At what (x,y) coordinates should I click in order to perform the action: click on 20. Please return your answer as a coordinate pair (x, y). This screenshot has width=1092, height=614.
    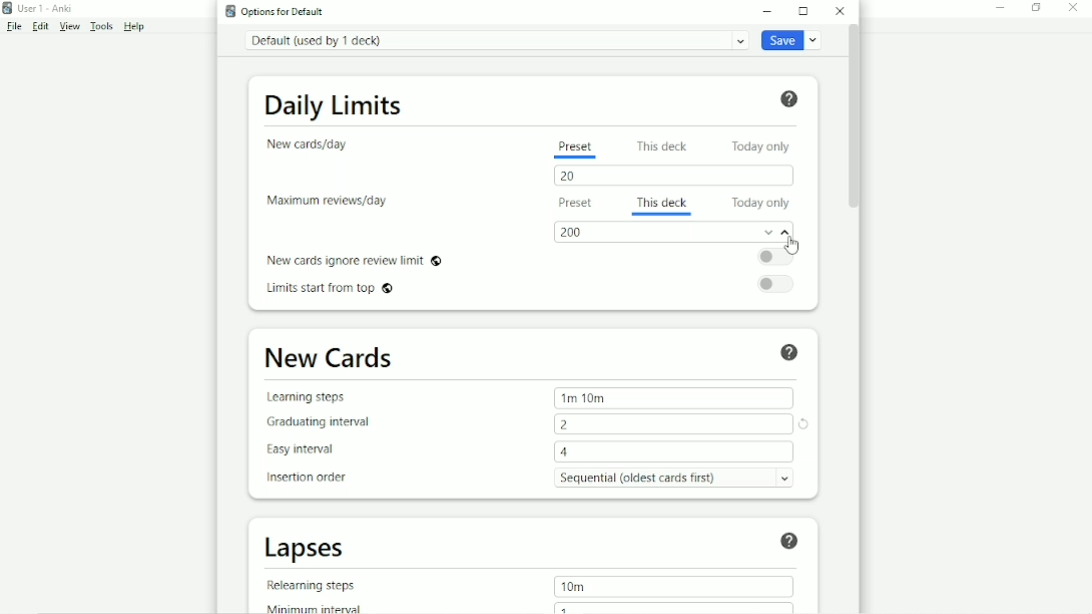
    Looking at the image, I should click on (573, 176).